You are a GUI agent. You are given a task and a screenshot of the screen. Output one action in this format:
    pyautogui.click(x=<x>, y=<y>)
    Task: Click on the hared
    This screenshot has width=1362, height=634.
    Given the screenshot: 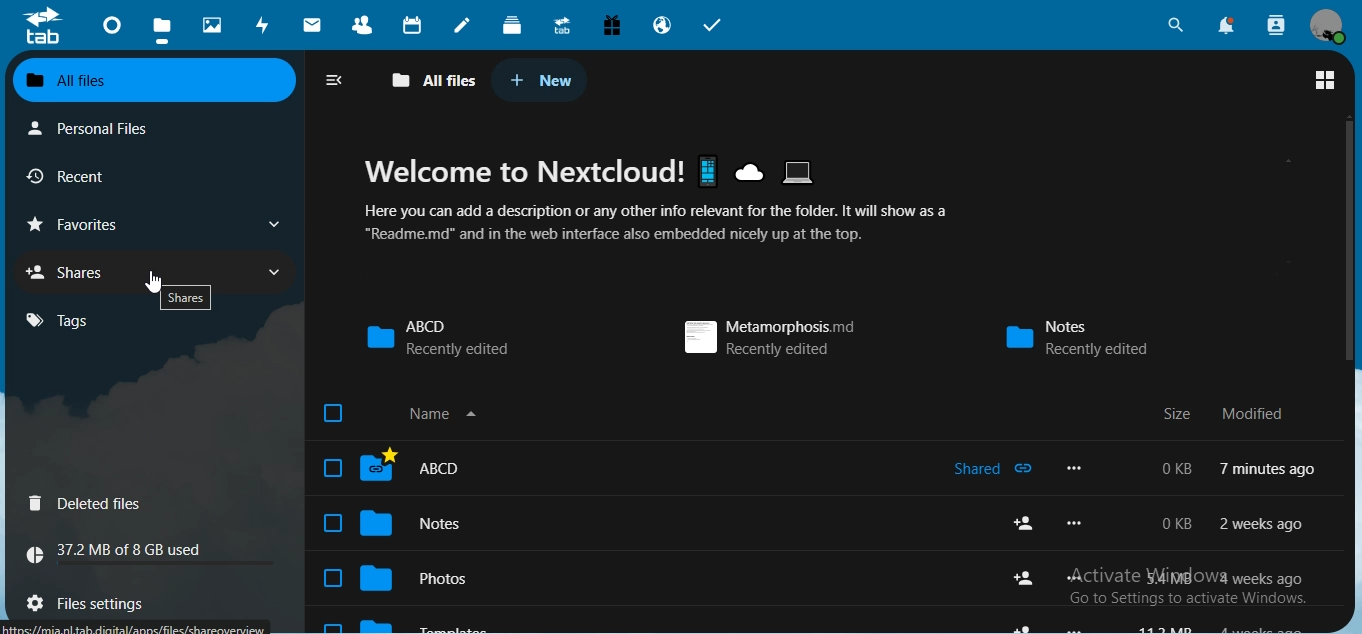 What is the action you would take?
    pyautogui.click(x=998, y=468)
    